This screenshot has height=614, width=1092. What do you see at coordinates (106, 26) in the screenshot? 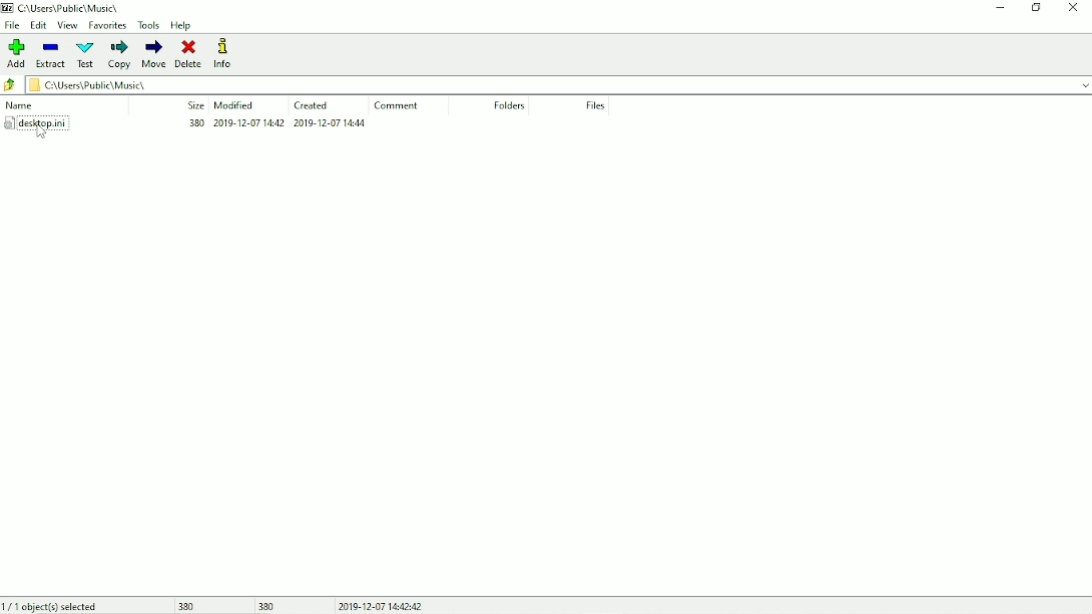
I see `Favorites` at bounding box center [106, 26].